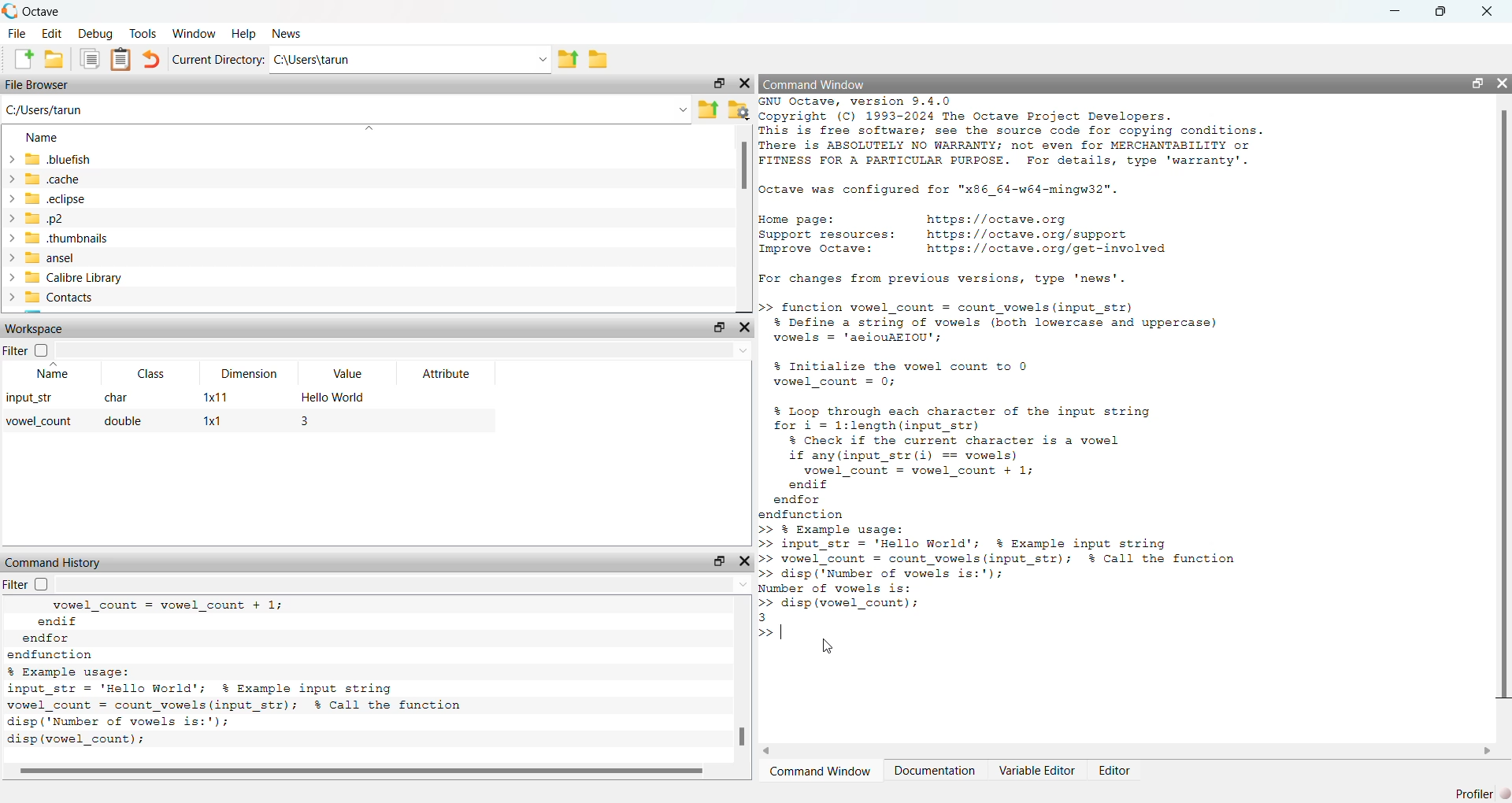 The width and height of the screenshot is (1512, 803). What do you see at coordinates (367, 772) in the screenshot?
I see `horizontal scroll bar` at bounding box center [367, 772].